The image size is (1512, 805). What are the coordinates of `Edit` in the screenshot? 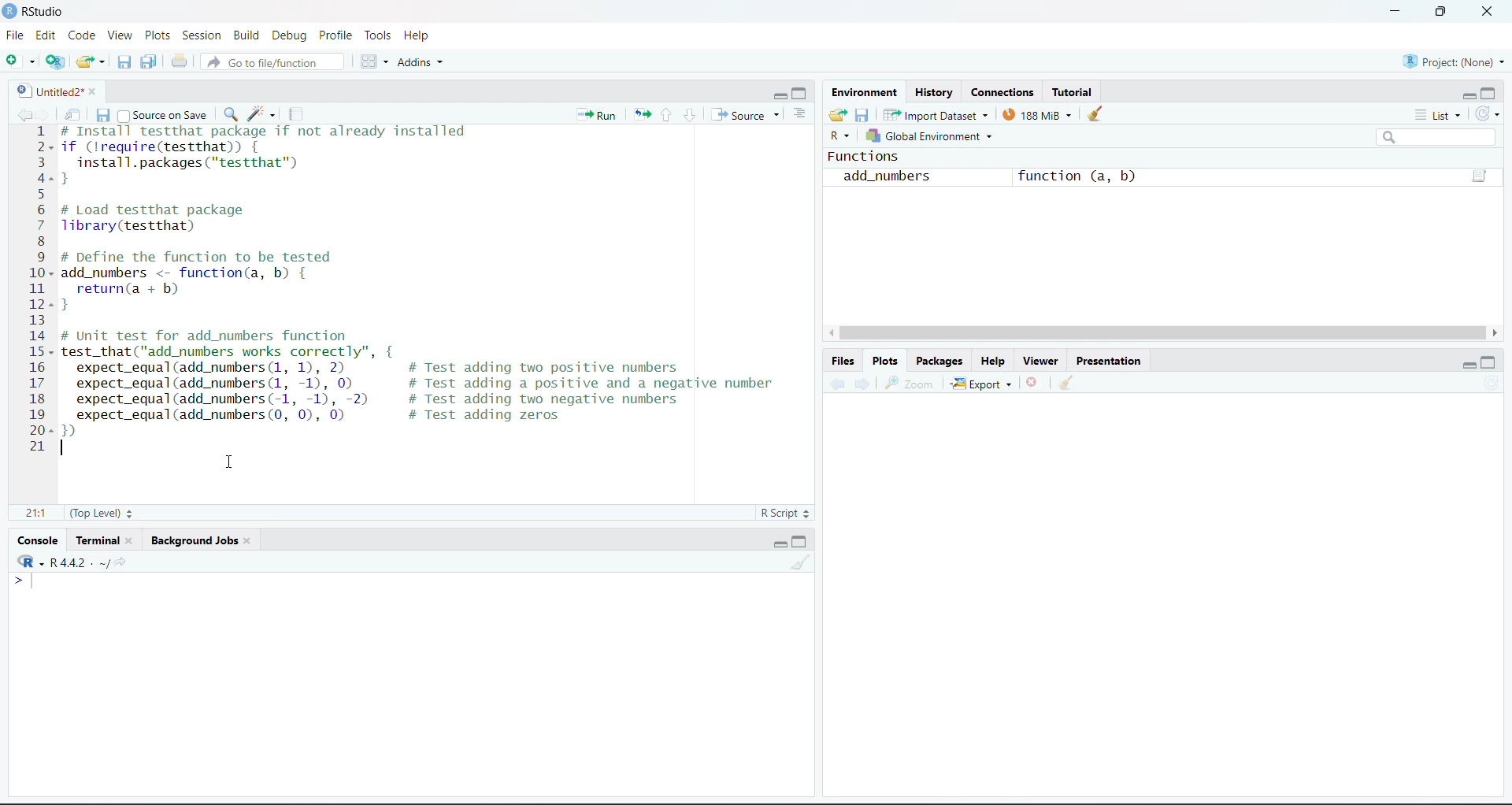 It's located at (47, 33).